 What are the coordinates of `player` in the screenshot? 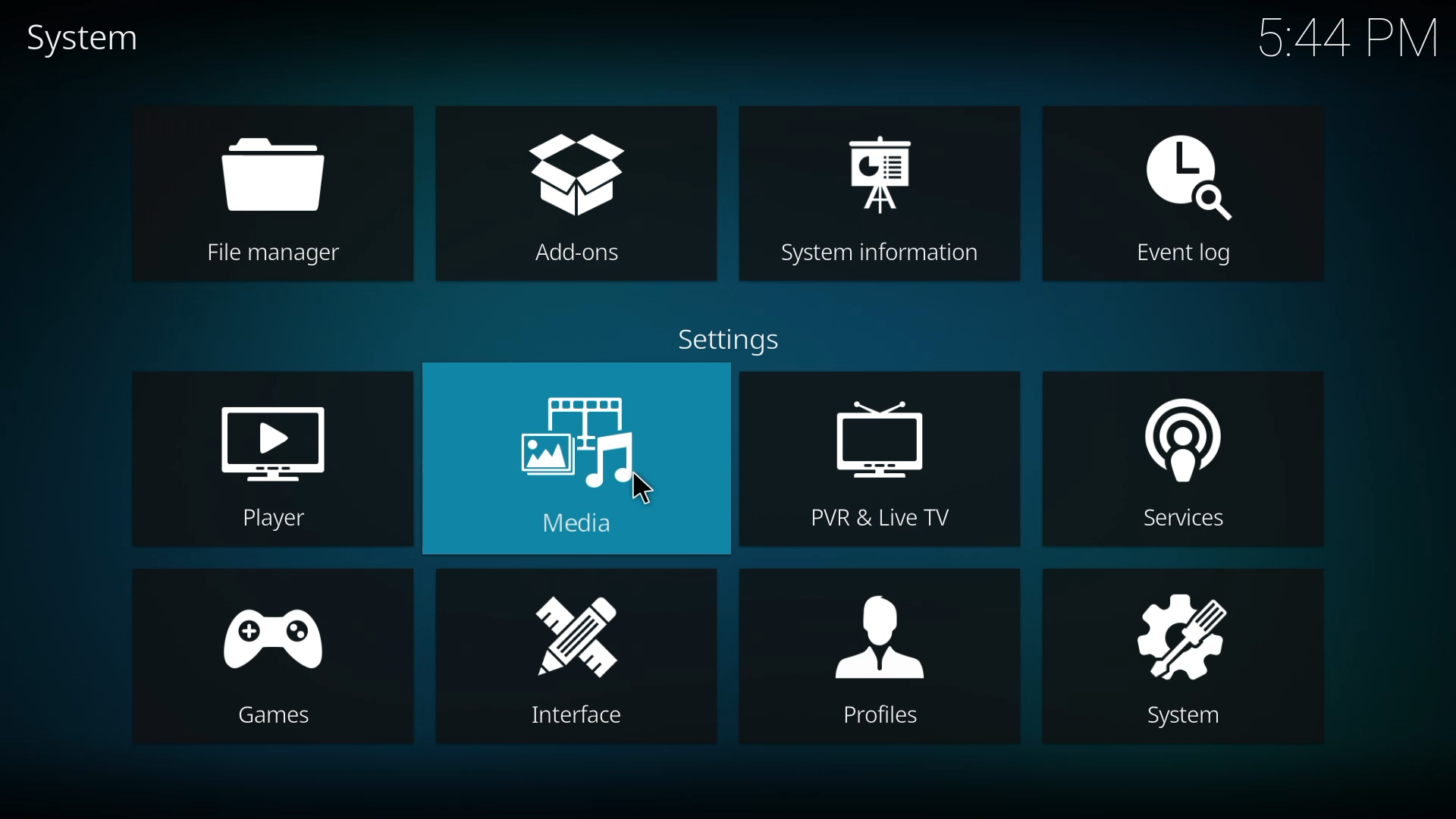 It's located at (283, 442).